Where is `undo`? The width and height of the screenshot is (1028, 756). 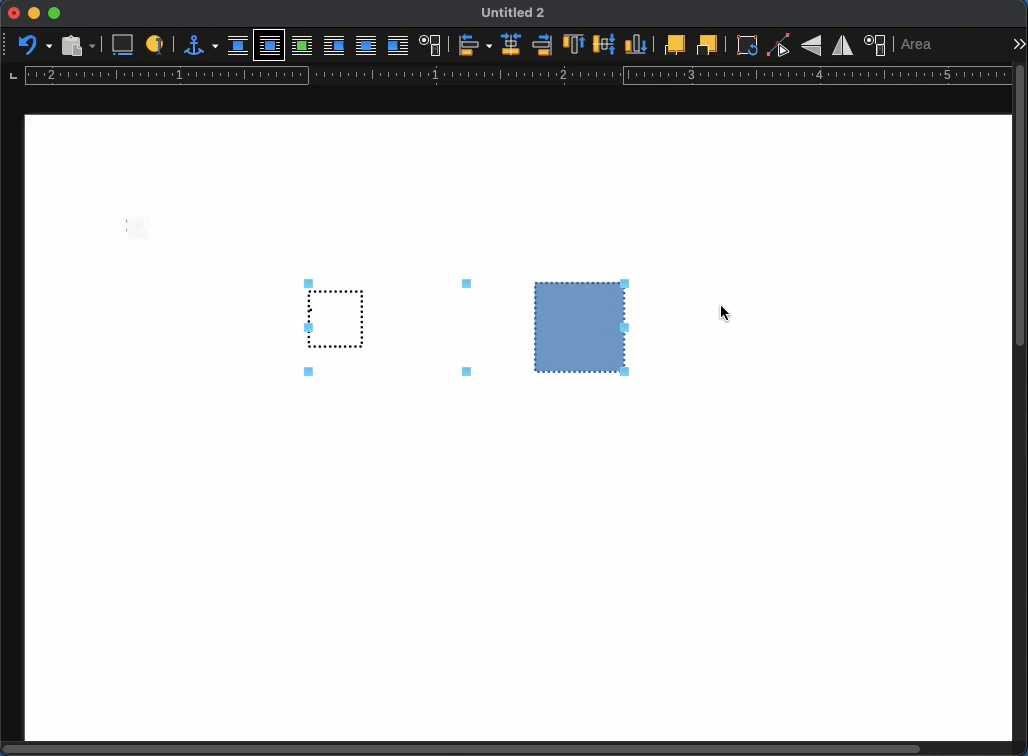
undo is located at coordinates (35, 45).